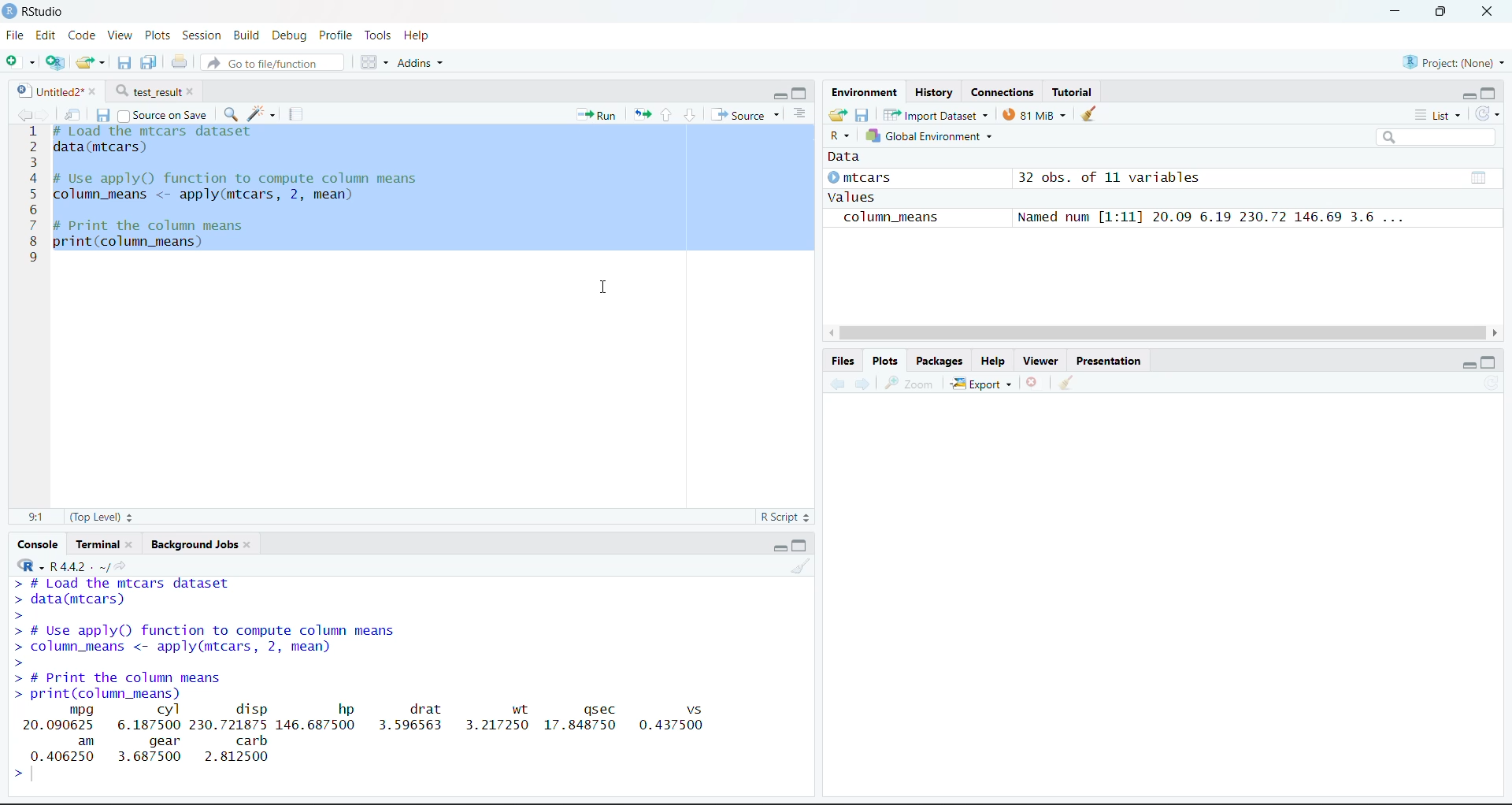 This screenshot has width=1512, height=805. I want to click on View the current working directory, so click(123, 564).